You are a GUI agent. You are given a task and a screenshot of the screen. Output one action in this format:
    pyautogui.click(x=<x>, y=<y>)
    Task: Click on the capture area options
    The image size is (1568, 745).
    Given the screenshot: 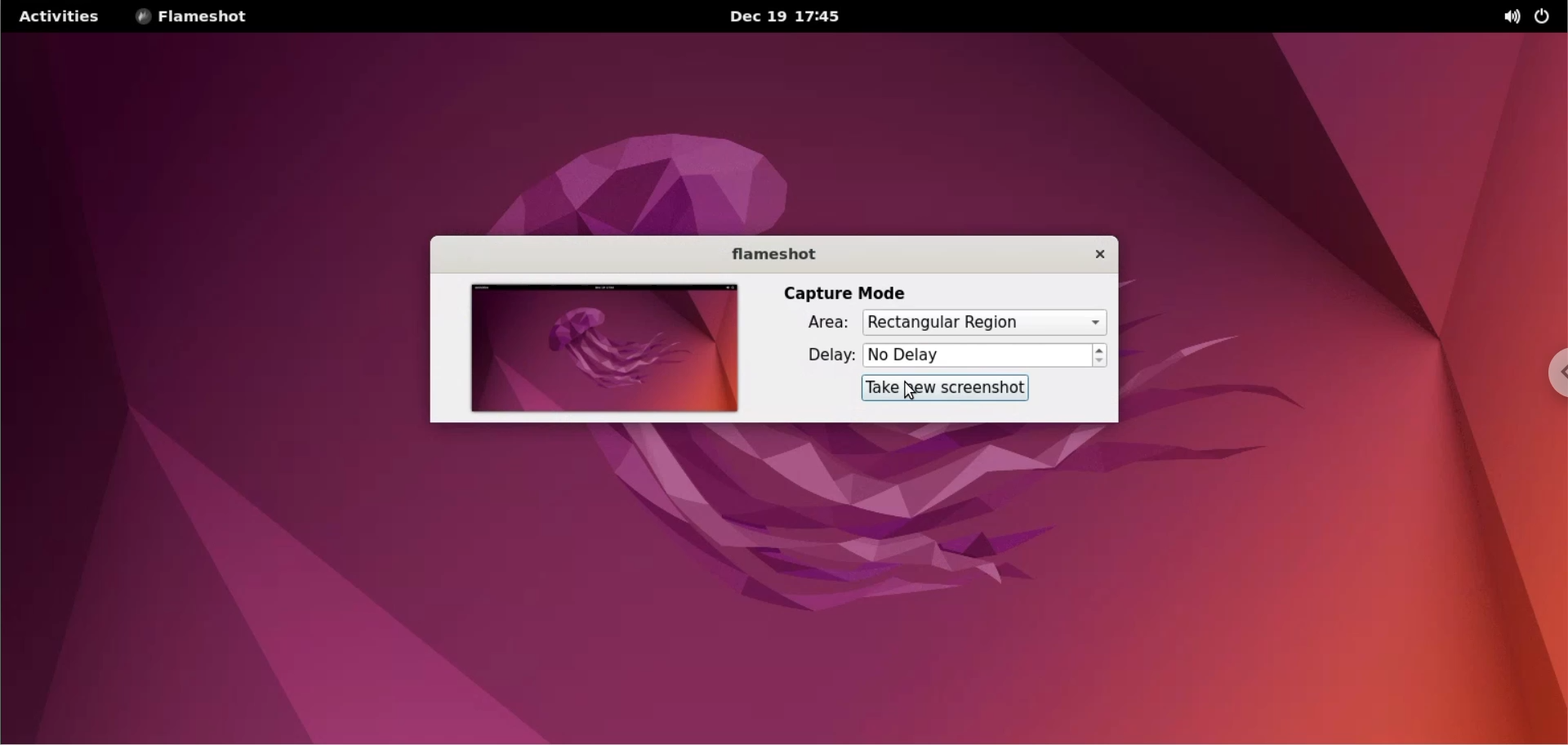 What is the action you would take?
    pyautogui.click(x=984, y=321)
    